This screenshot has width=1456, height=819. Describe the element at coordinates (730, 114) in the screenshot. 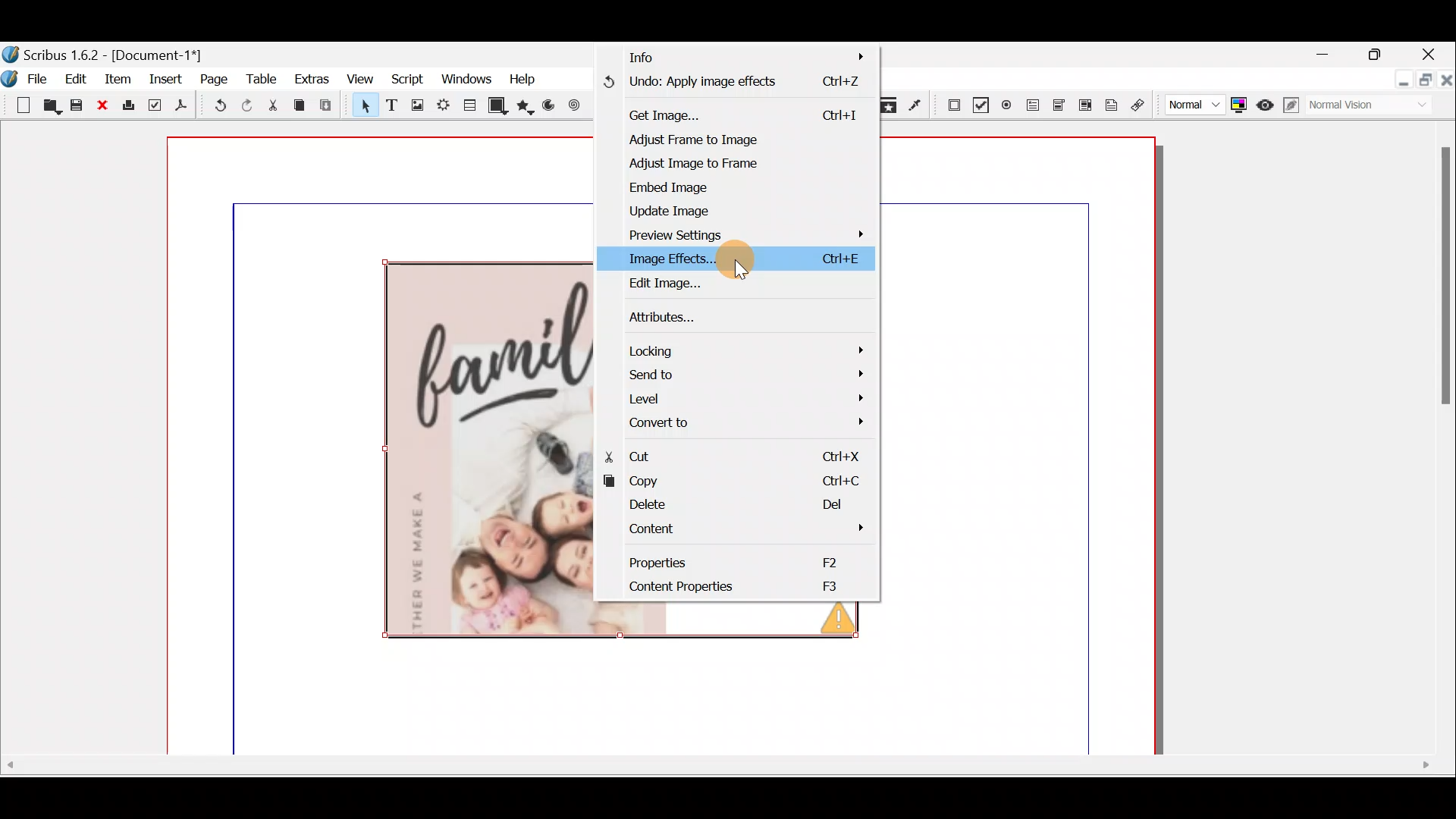

I see `Get image` at that location.